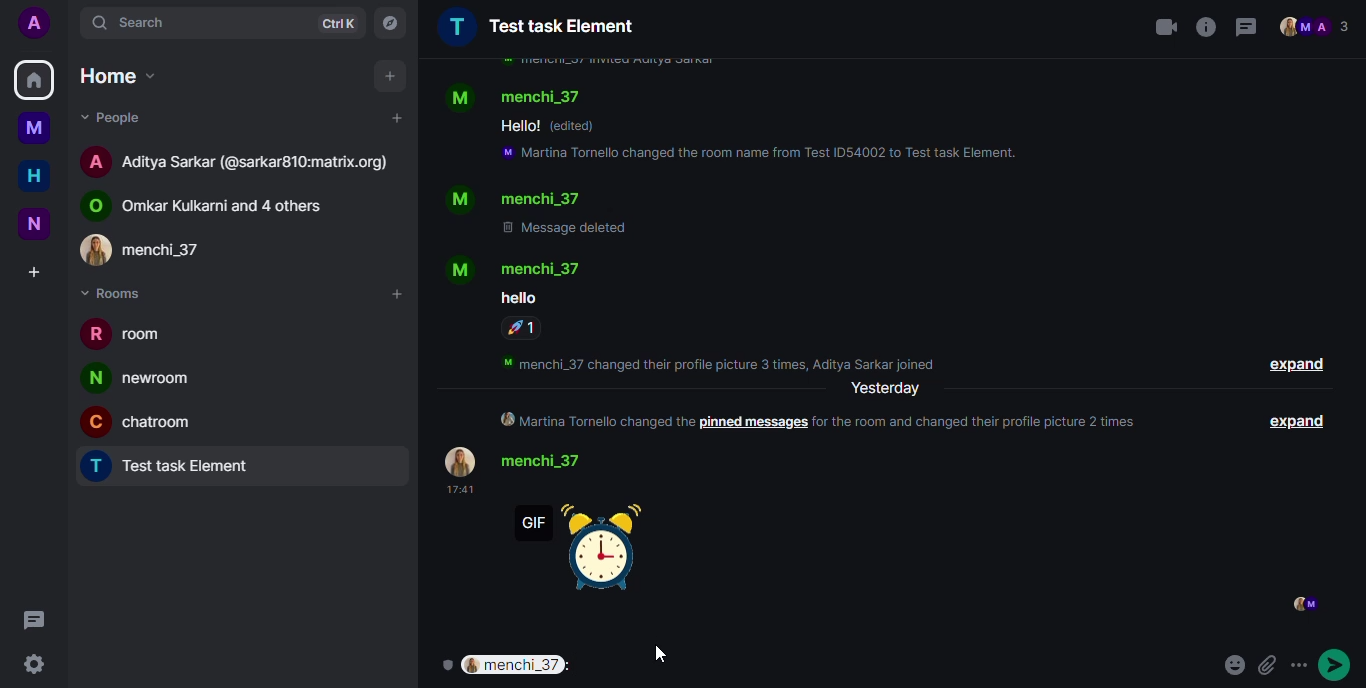 This screenshot has height=688, width=1366. I want to click on profile, so click(34, 24).